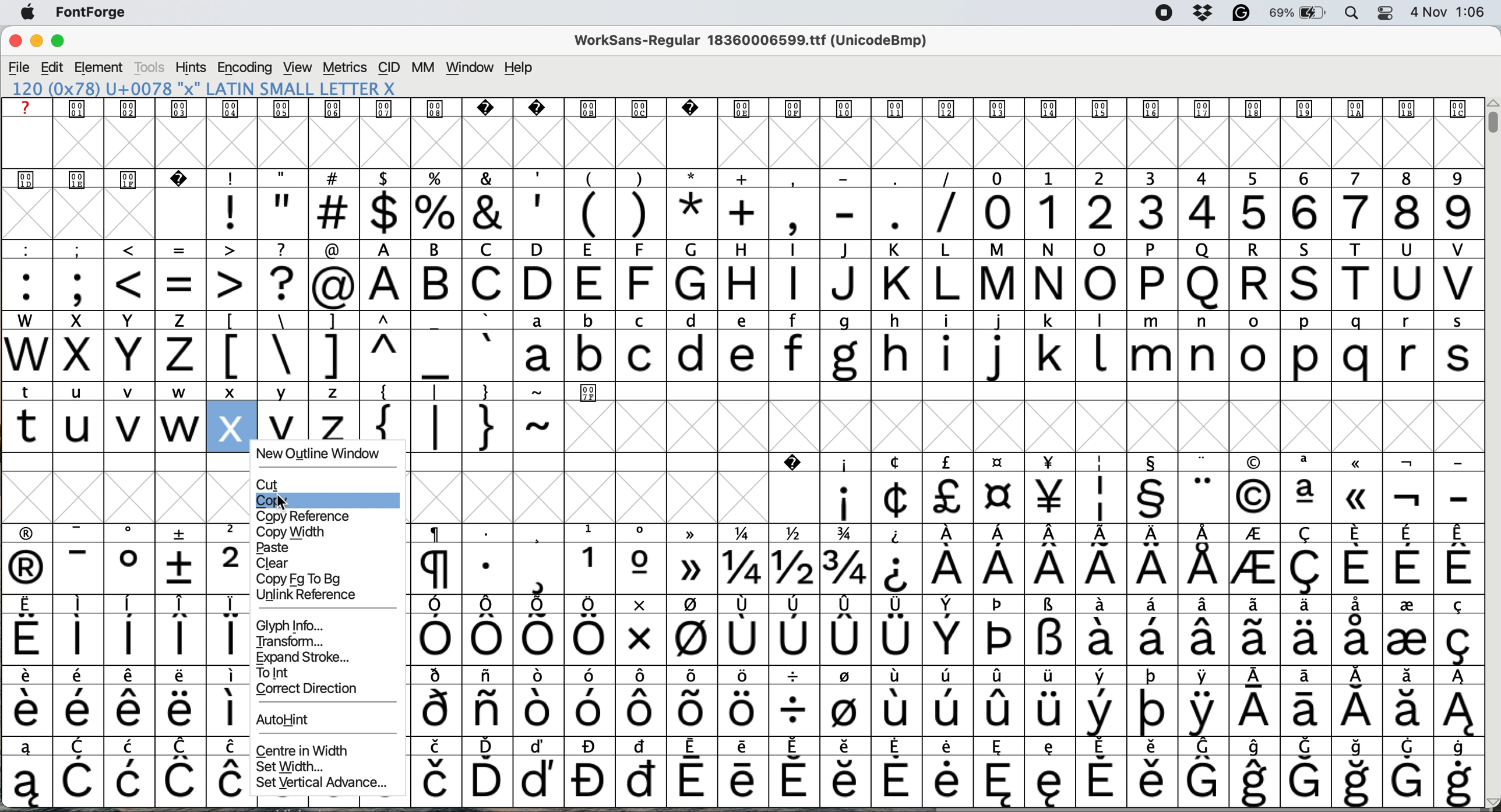 The image size is (1501, 812). I want to click on special characters, so click(127, 709).